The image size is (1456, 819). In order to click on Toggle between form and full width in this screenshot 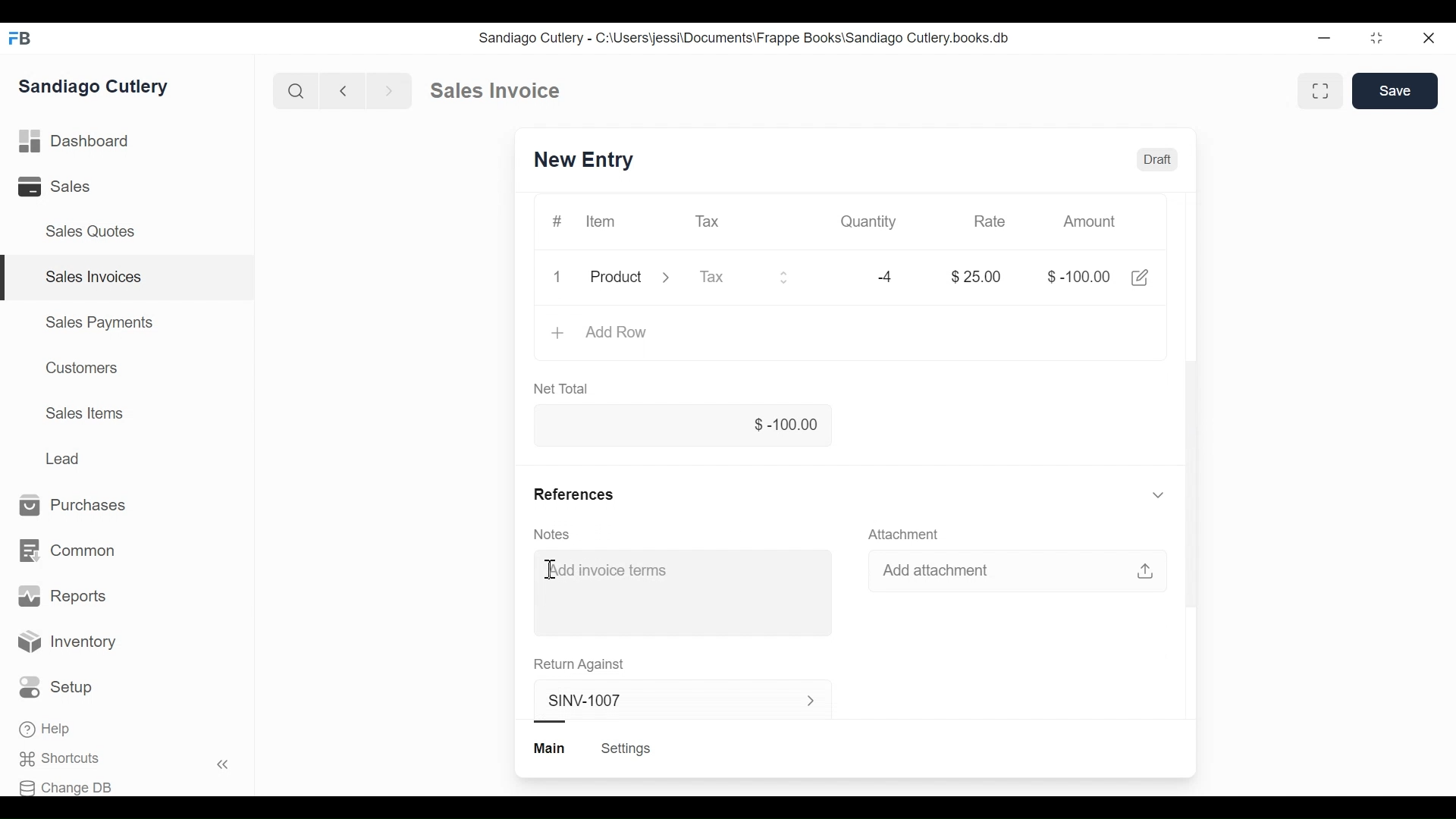, I will do `click(1321, 91)`.